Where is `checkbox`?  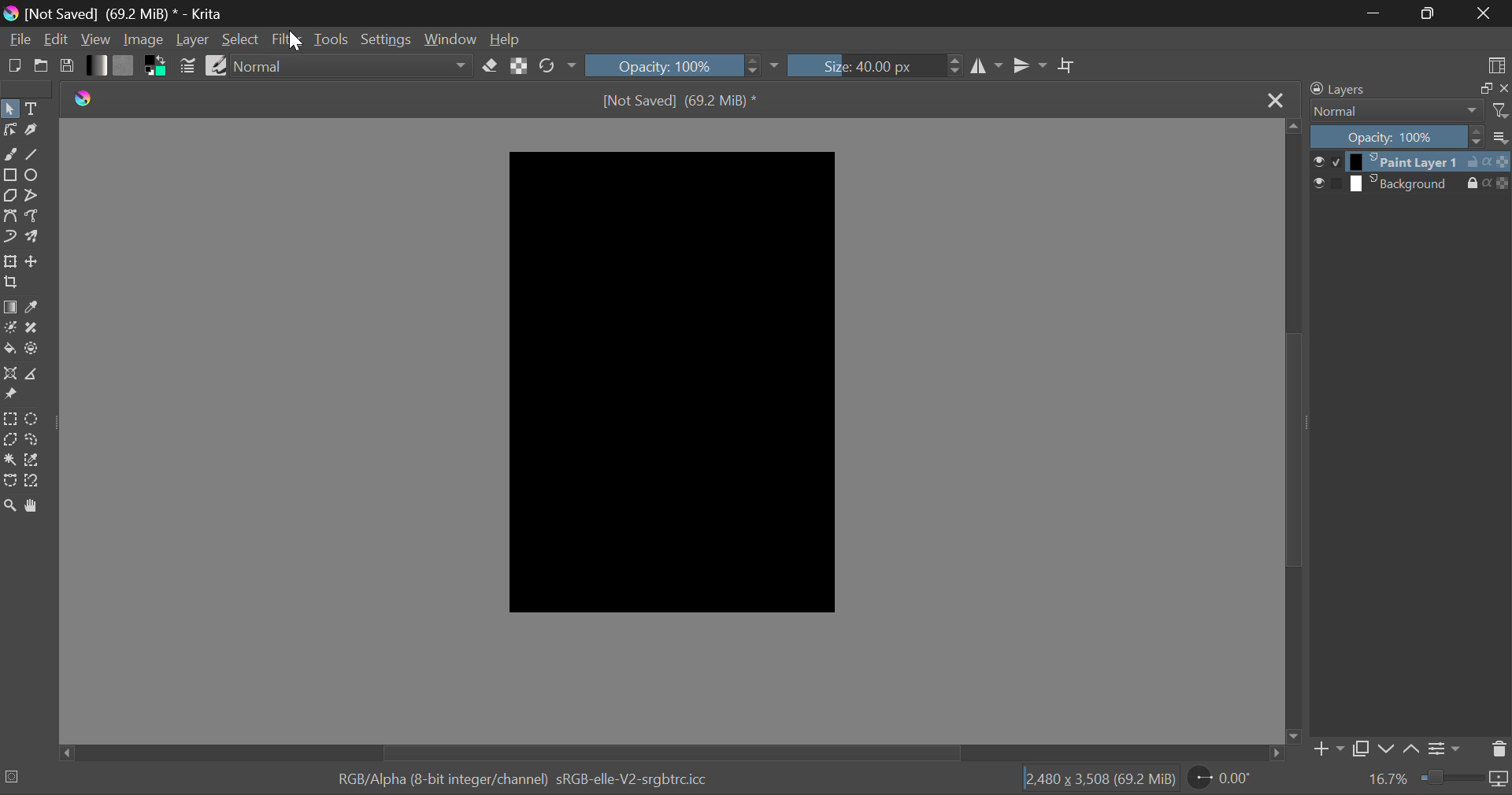
checkbox is located at coordinates (1335, 183).